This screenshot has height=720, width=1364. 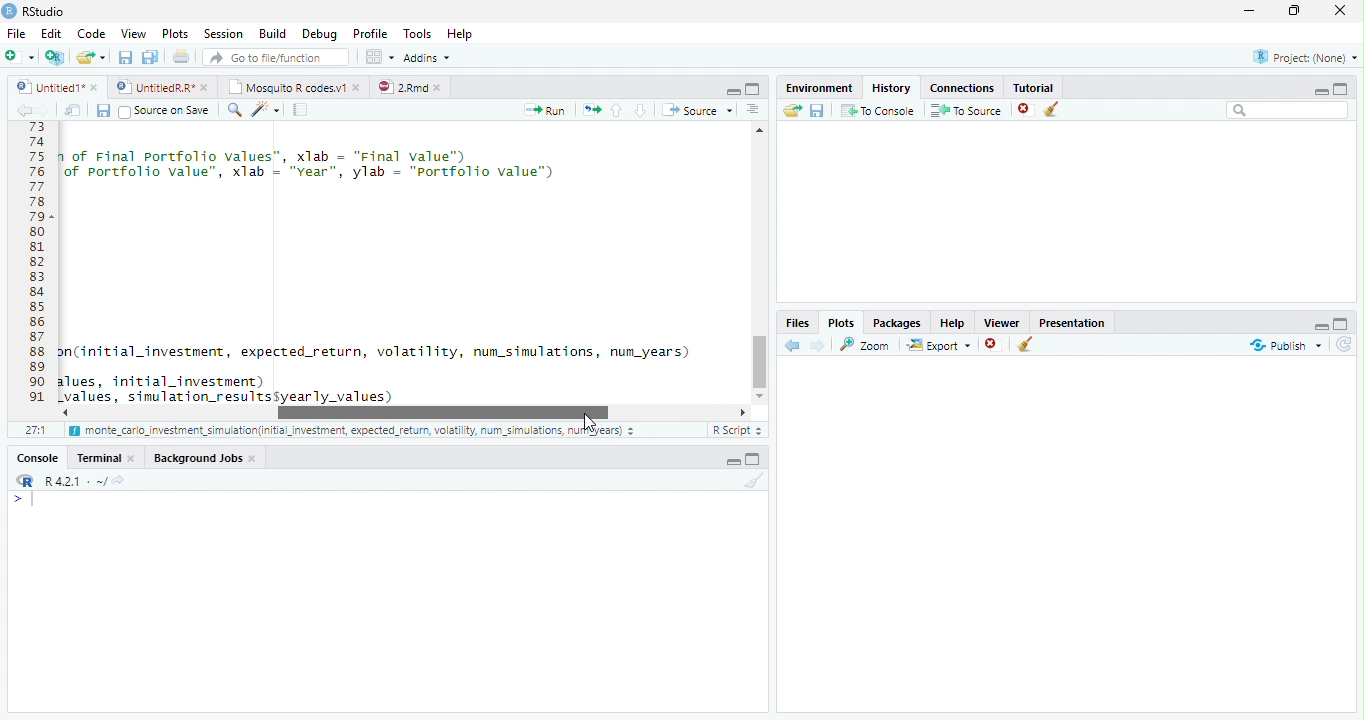 What do you see at coordinates (292, 86) in the screenshot?
I see `Mosquito R codes.v1` at bounding box center [292, 86].